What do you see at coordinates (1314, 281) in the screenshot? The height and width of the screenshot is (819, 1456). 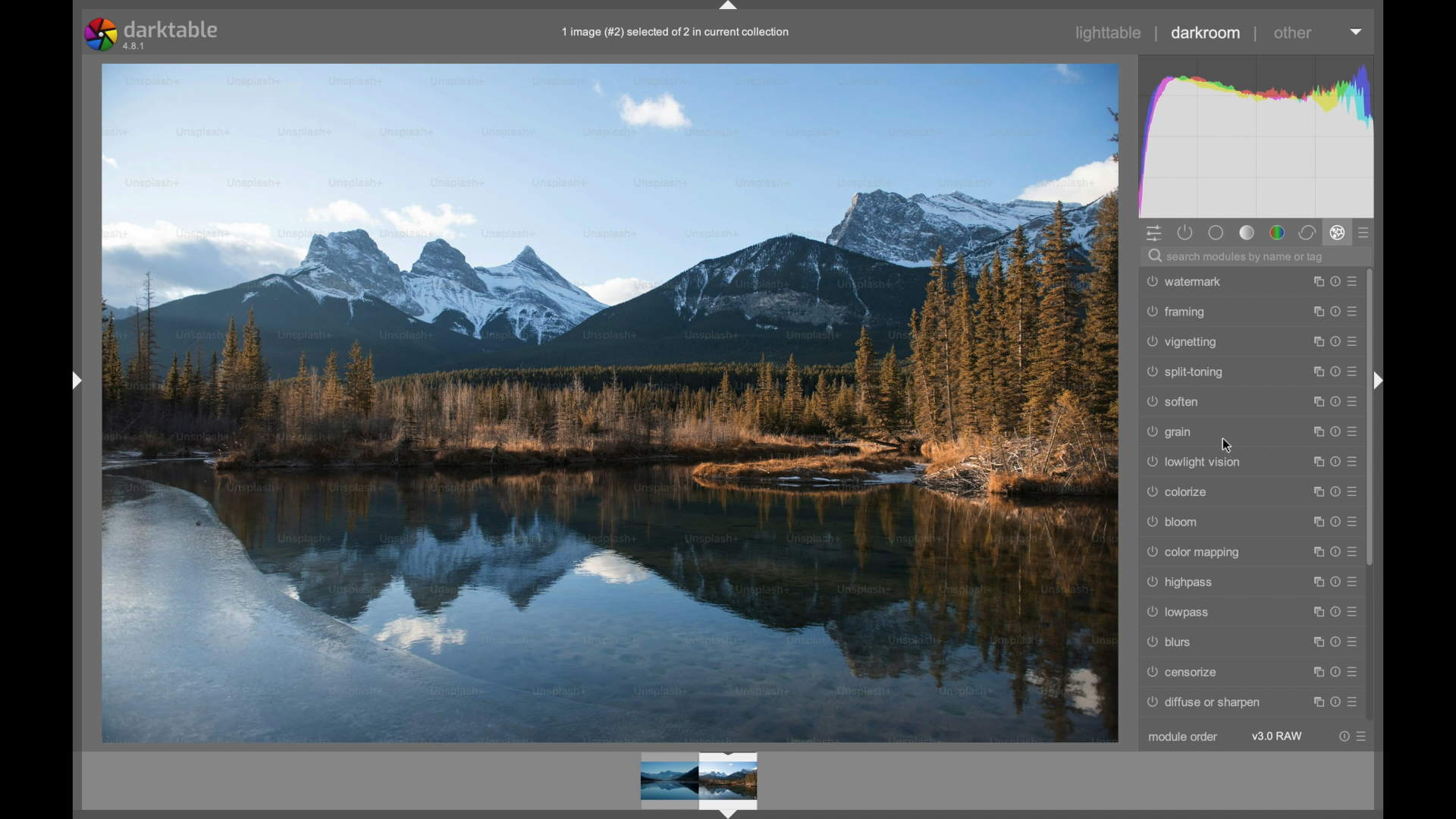 I see `instance` at bounding box center [1314, 281].